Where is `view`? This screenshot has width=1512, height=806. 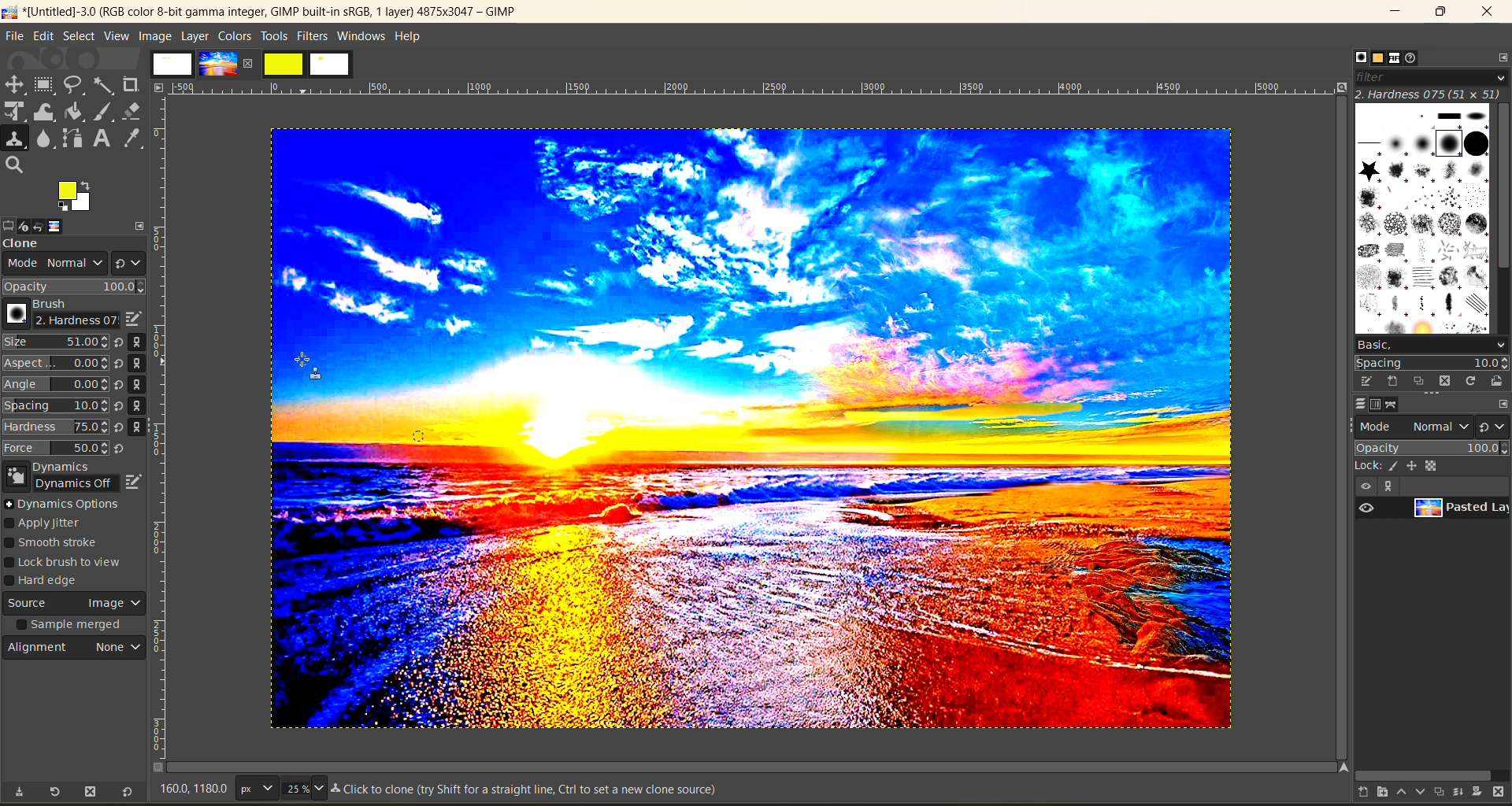 view is located at coordinates (117, 36).